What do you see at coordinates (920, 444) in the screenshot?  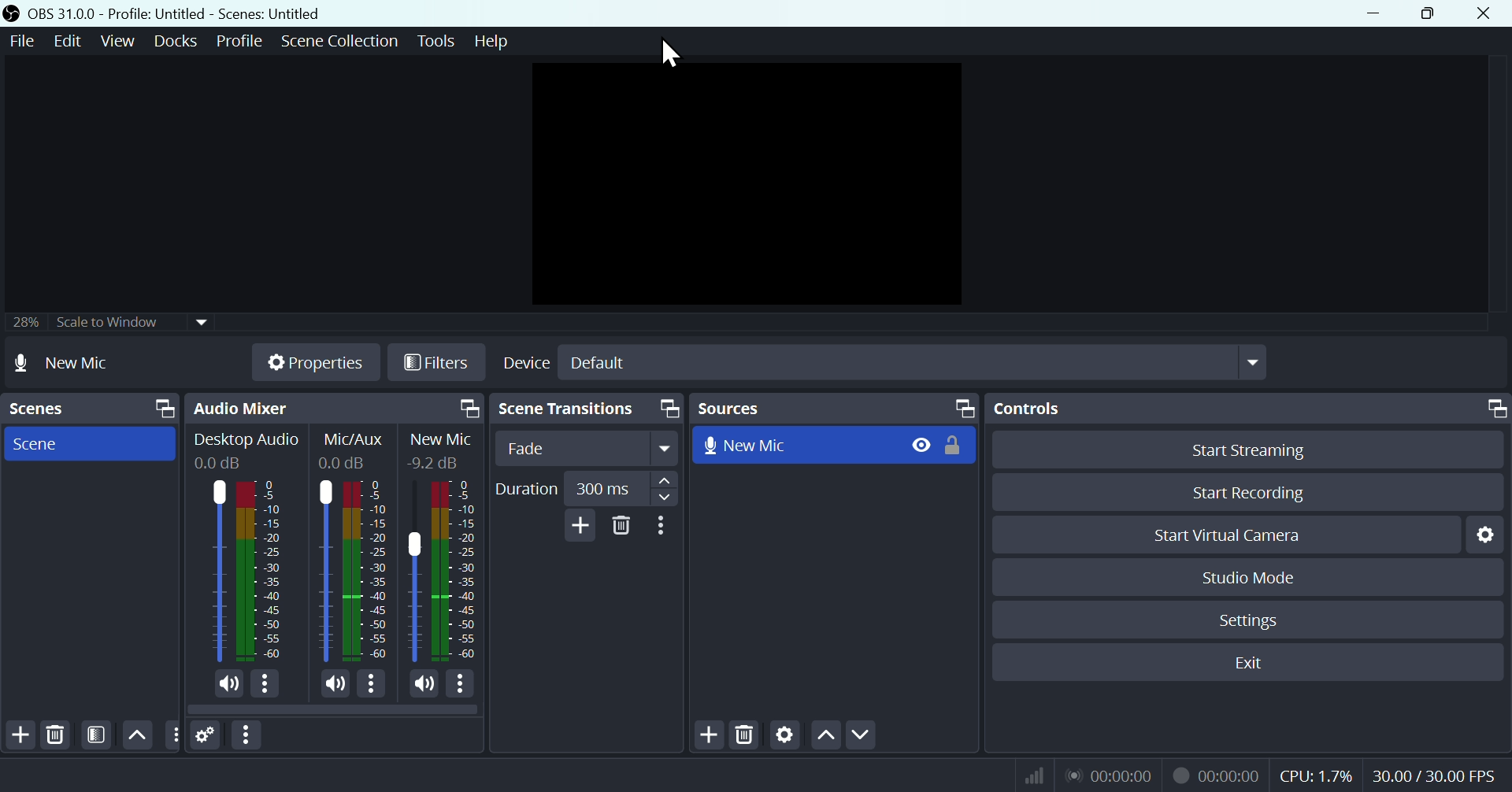 I see `Hide/Display` at bounding box center [920, 444].